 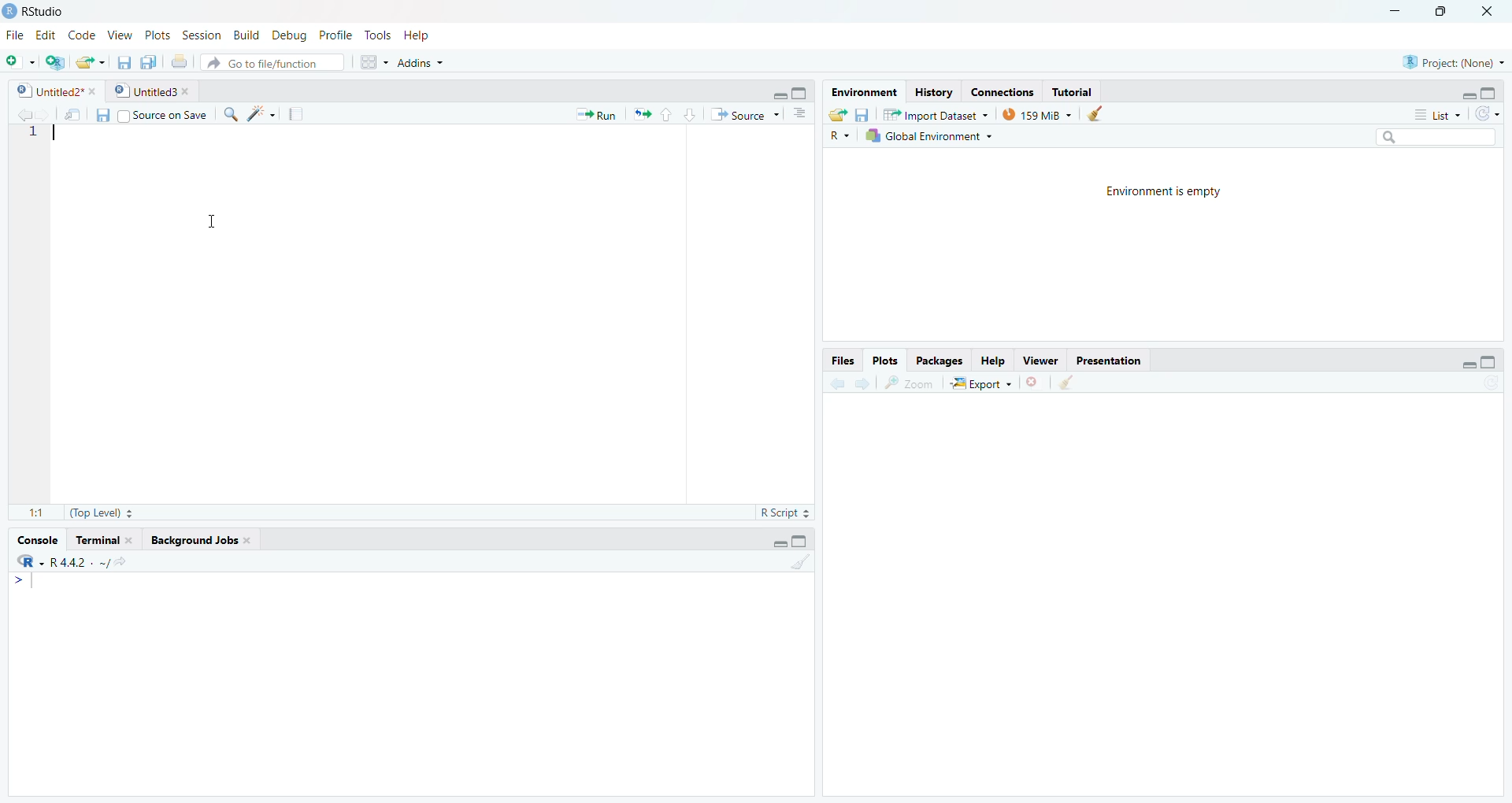 What do you see at coordinates (778, 96) in the screenshot?
I see `Minimize` at bounding box center [778, 96].